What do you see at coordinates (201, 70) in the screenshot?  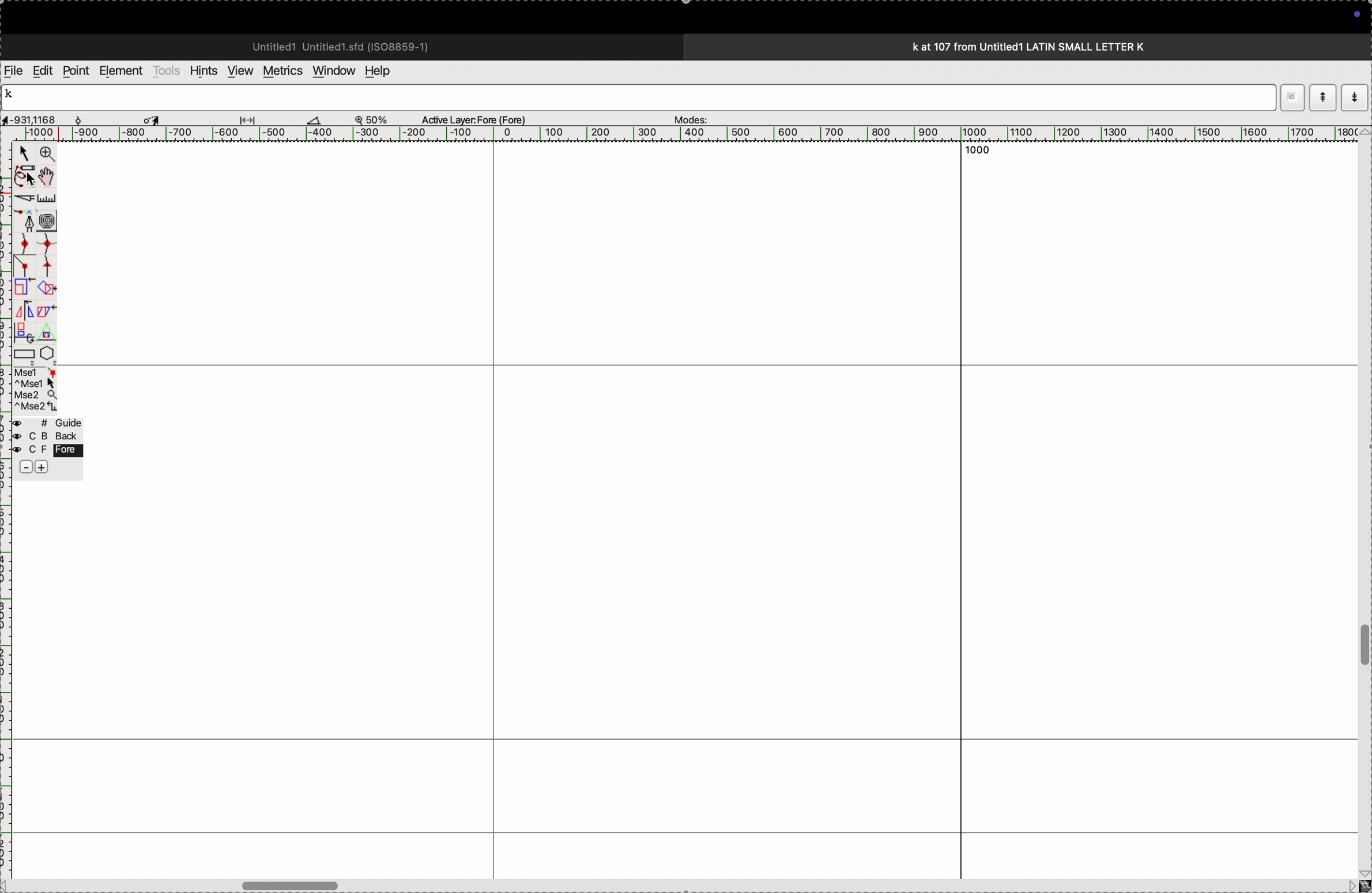 I see `hints` at bounding box center [201, 70].